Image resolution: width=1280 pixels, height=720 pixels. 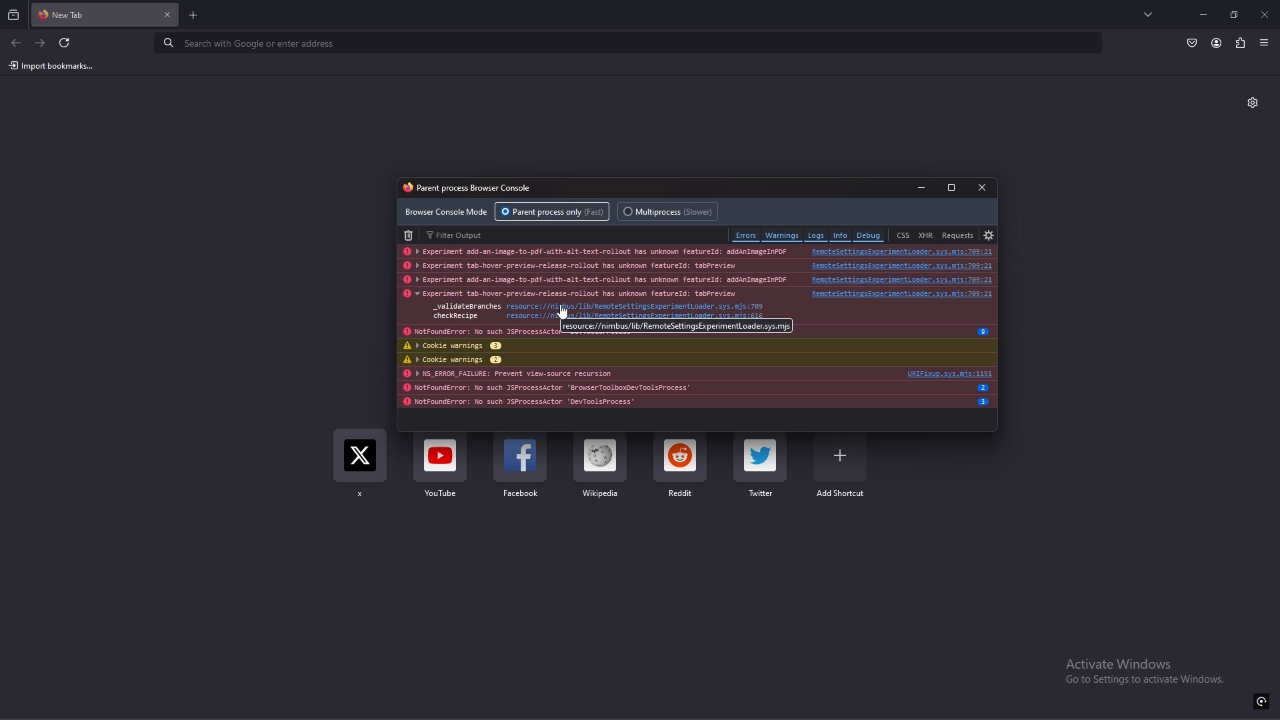 I want to click on cookie warnings, so click(x=587, y=346).